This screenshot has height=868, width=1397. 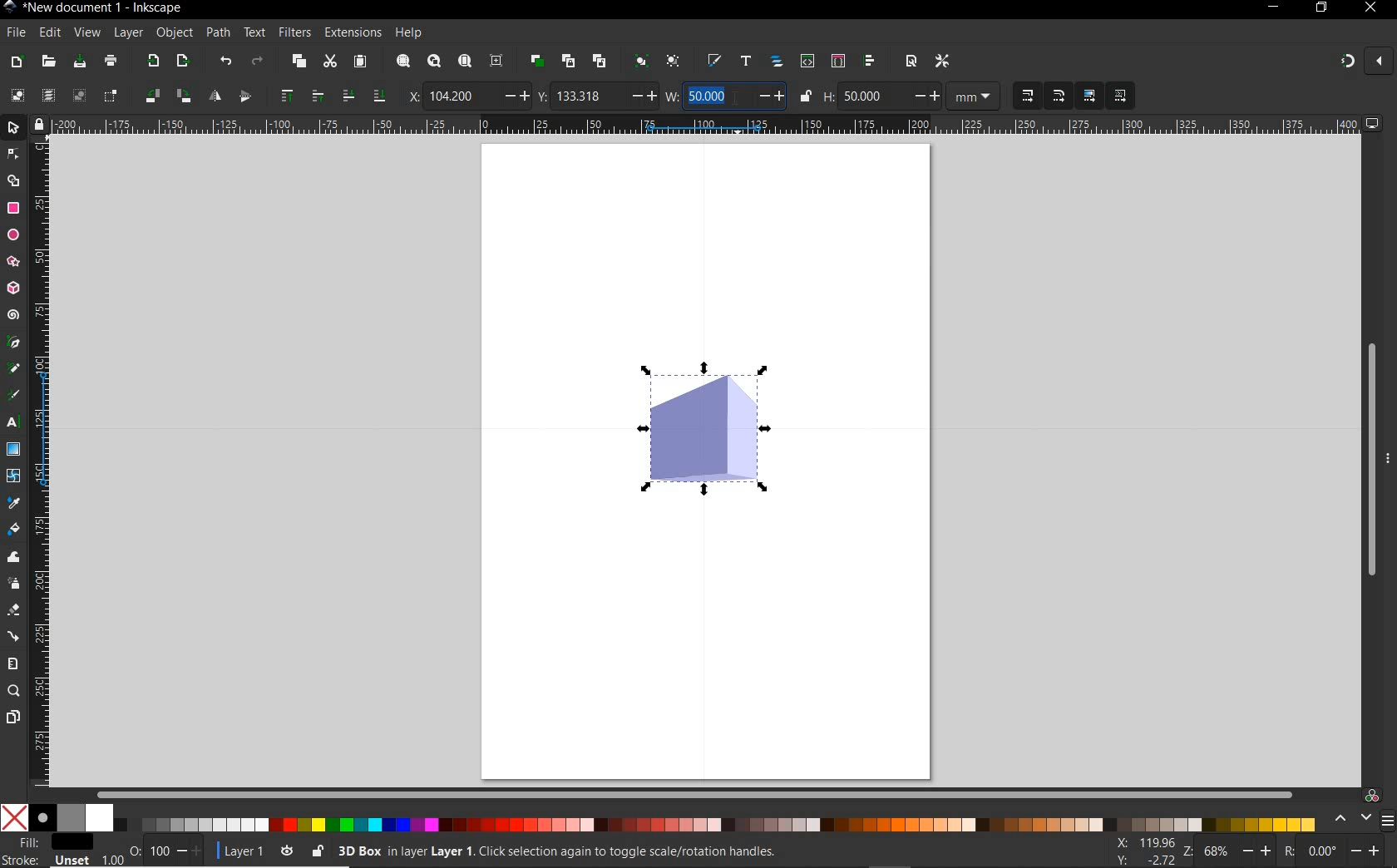 What do you see at coordinates (14, 477) in the screenshot?
I see `mesh tool` at bounding box center [14, 477].